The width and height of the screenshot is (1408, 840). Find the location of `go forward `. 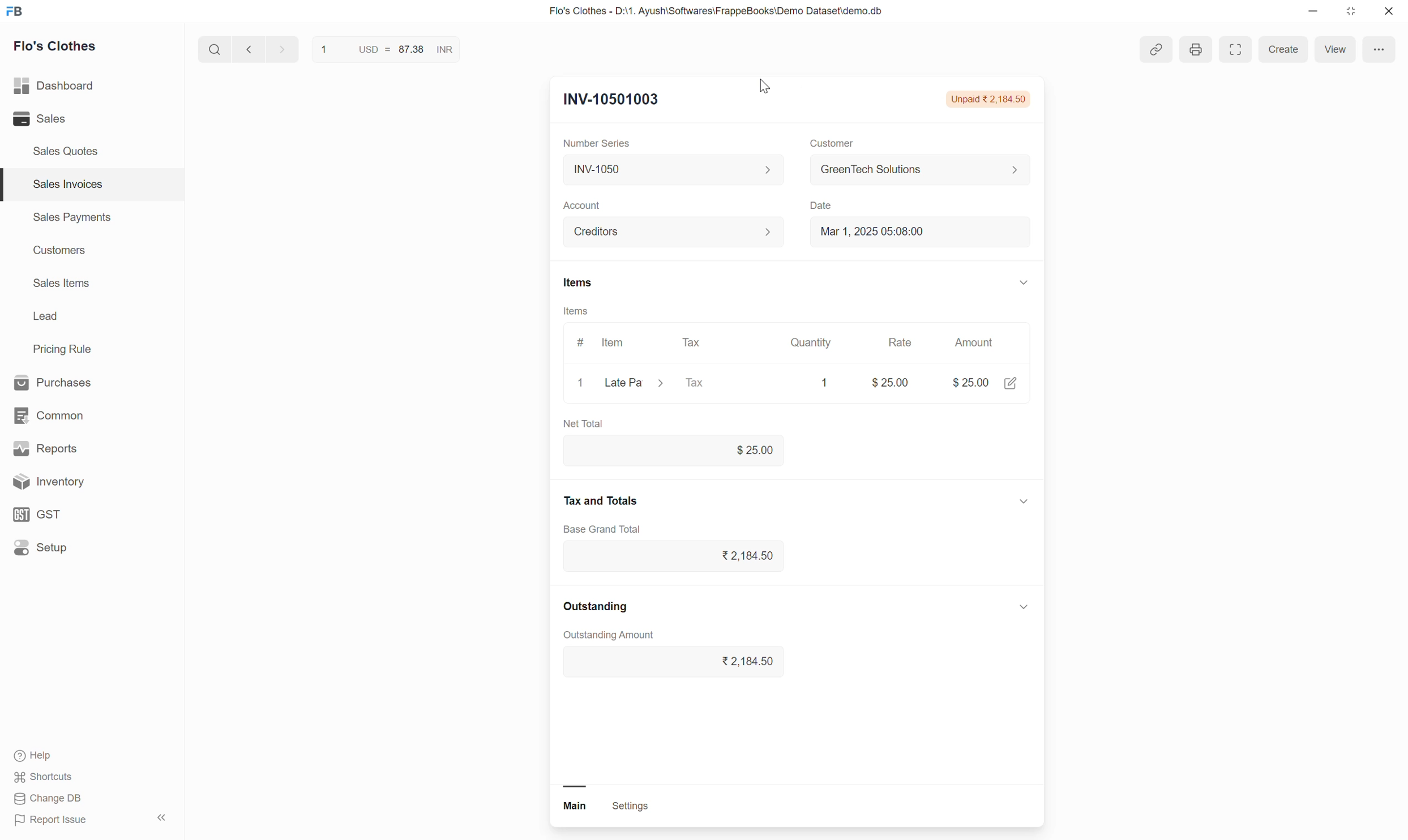

go forward  is located at coordinates (279, 52).